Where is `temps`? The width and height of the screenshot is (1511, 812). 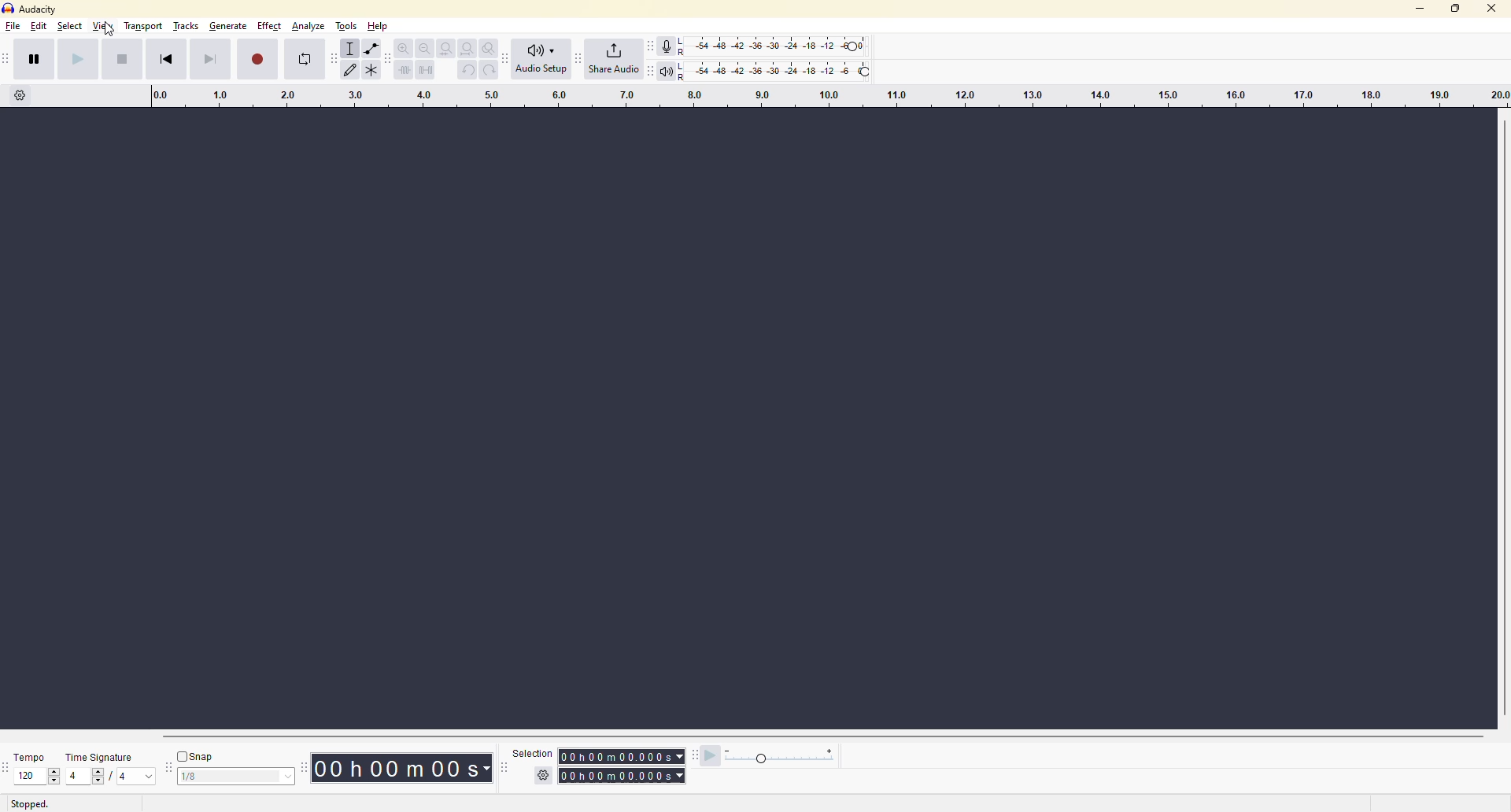
temps is located at coordinates (31, 756).